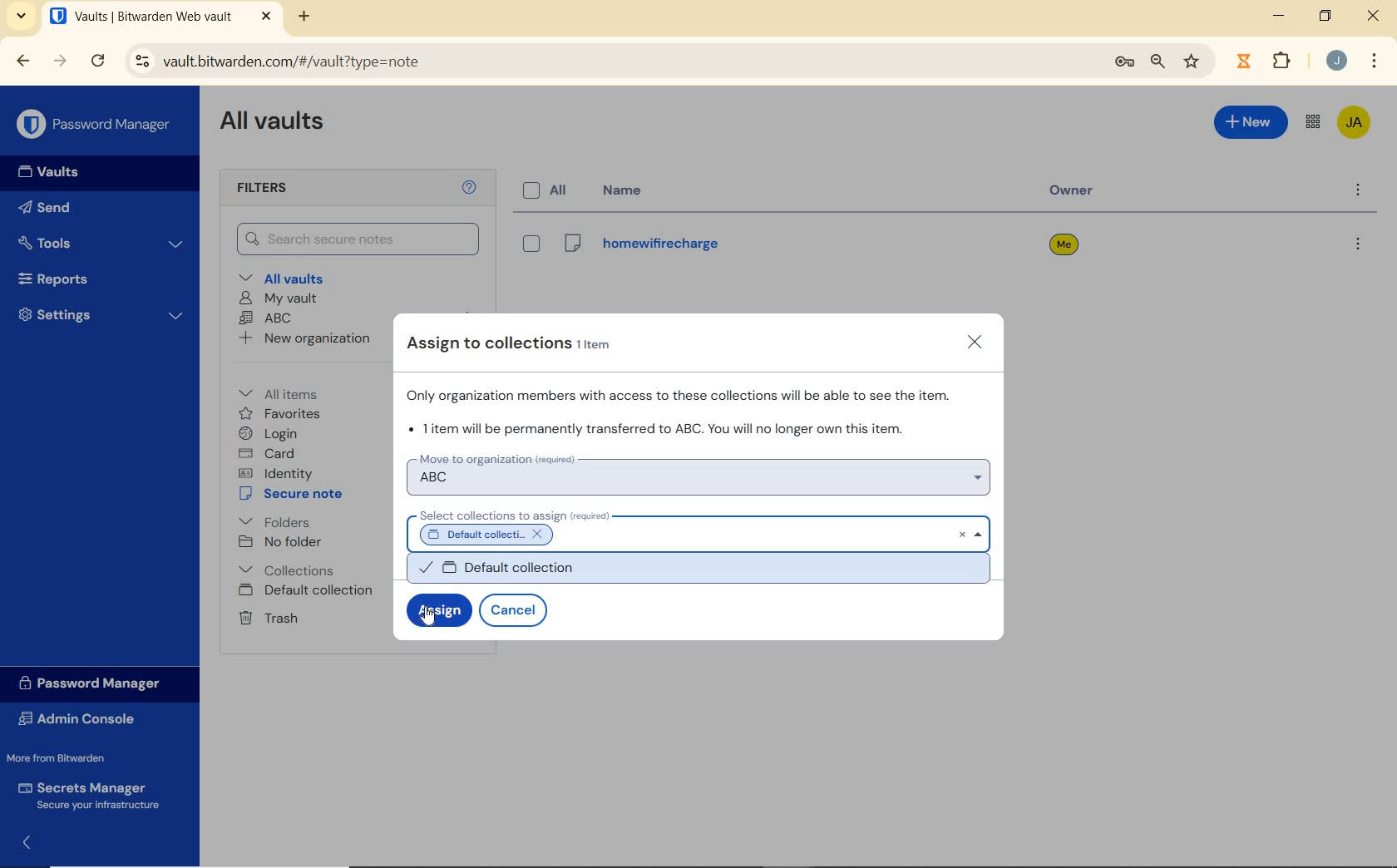 The image size is (1397, 868). Describe the element at coordinates (1124, 65) in the screenshot. I see `manage passwords` at that location.